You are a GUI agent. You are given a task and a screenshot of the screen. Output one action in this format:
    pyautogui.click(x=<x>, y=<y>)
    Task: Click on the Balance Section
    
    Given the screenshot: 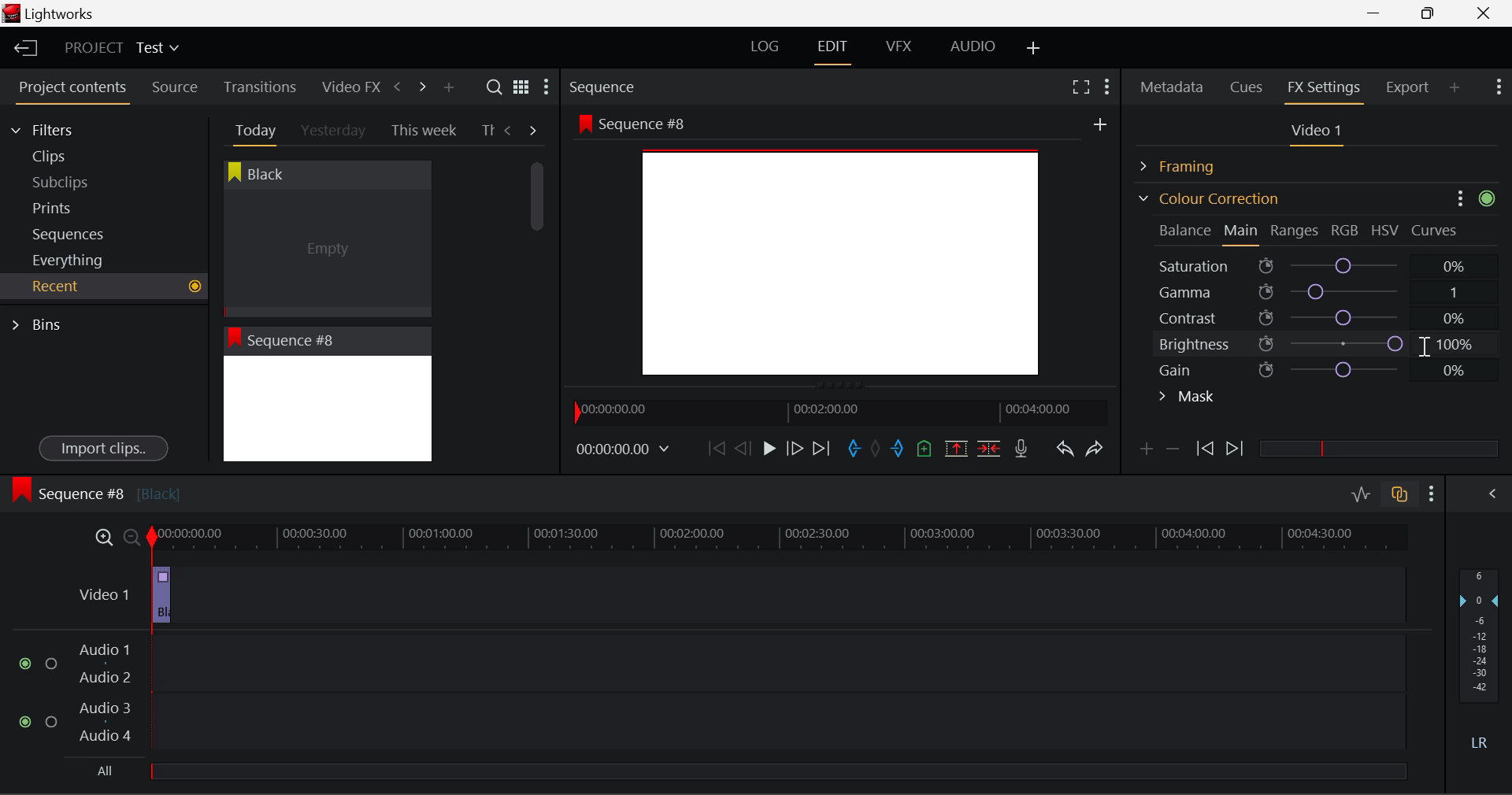 What is the action you would take?
    pyautogui.click(x=1187, y=230)
    